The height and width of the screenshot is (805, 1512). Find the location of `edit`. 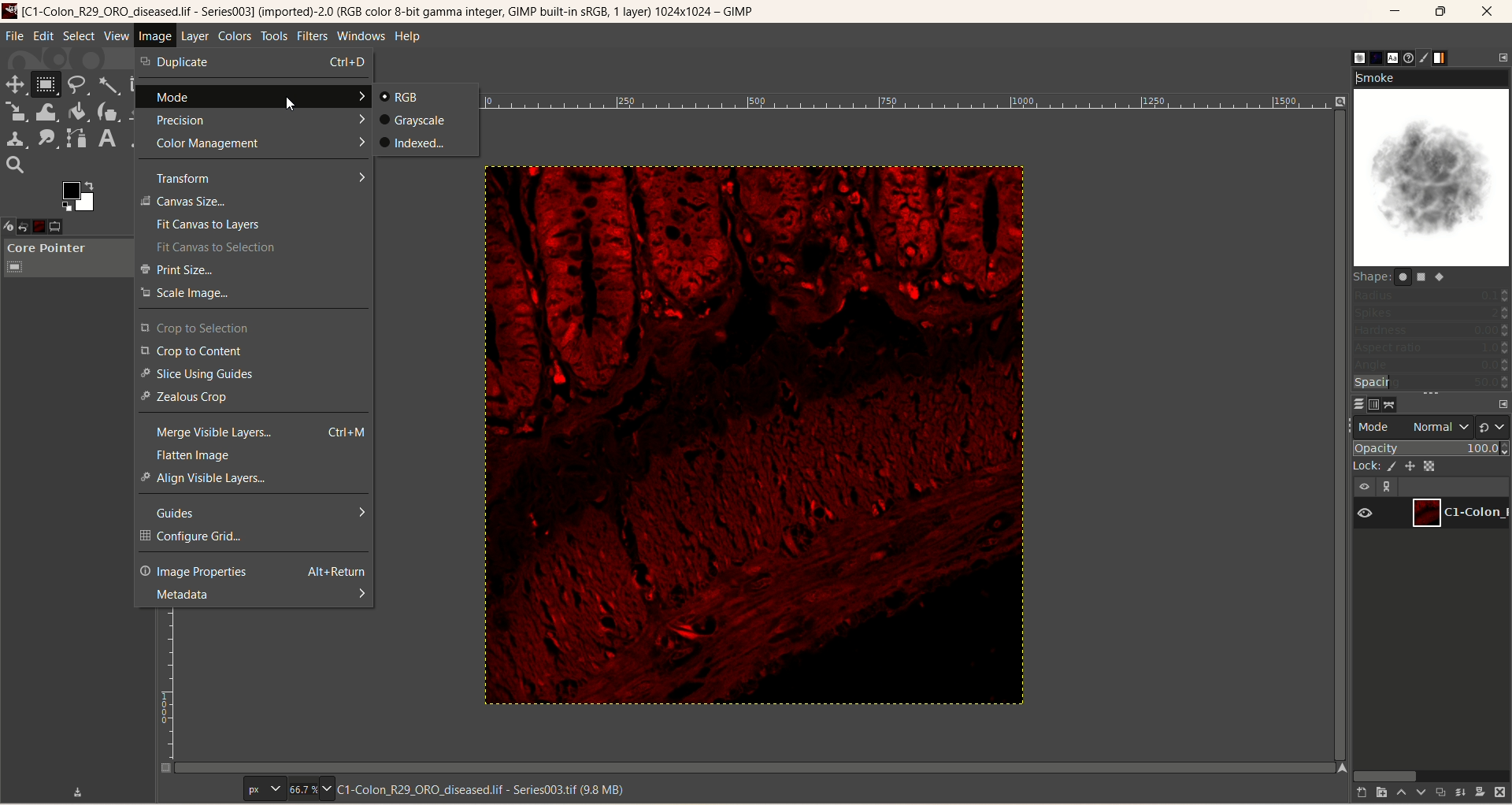

edit is located at coordinates (44, 35).